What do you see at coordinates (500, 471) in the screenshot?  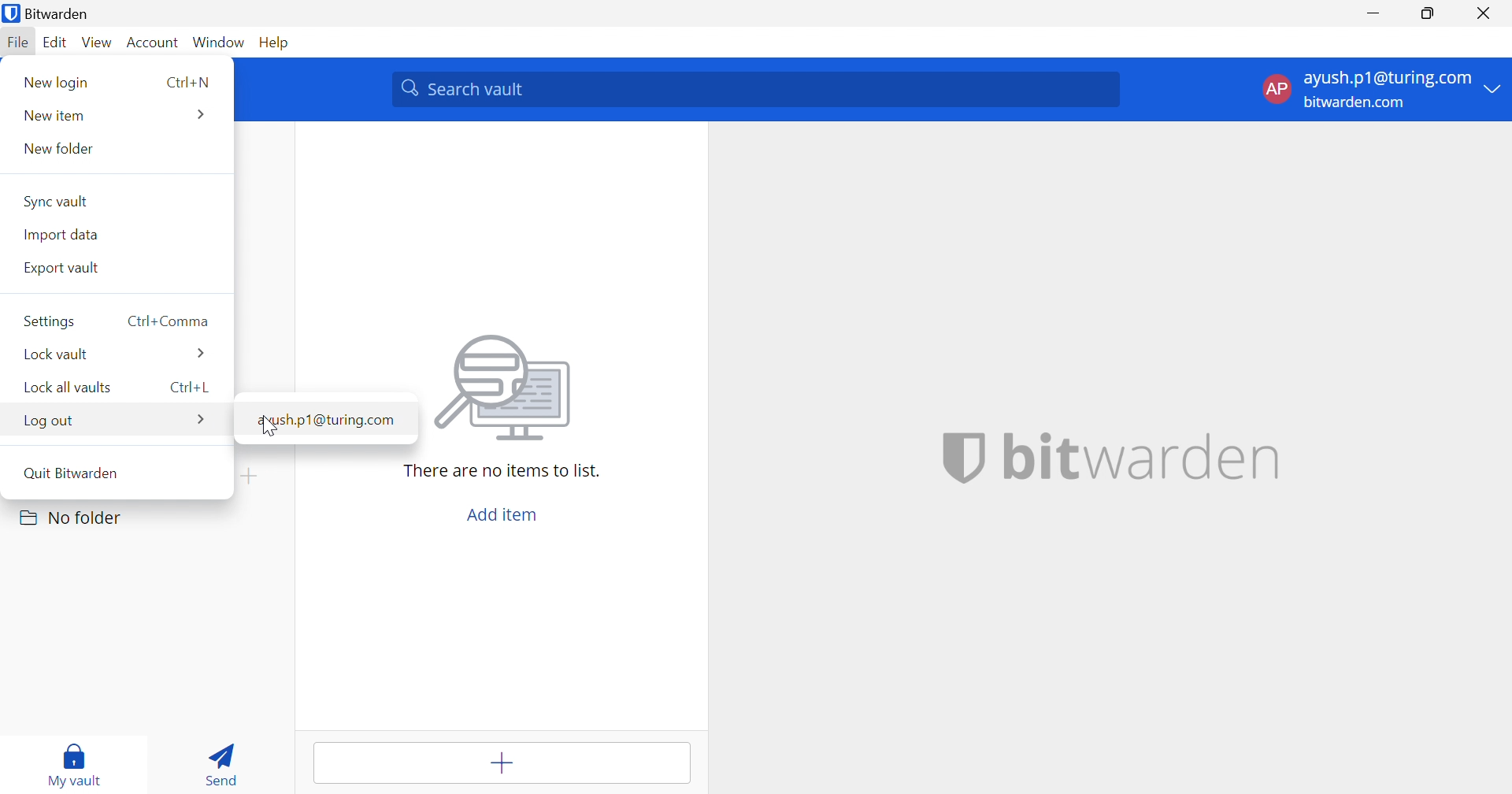 I see `There are no items to list` at bounding box center [500, 471].